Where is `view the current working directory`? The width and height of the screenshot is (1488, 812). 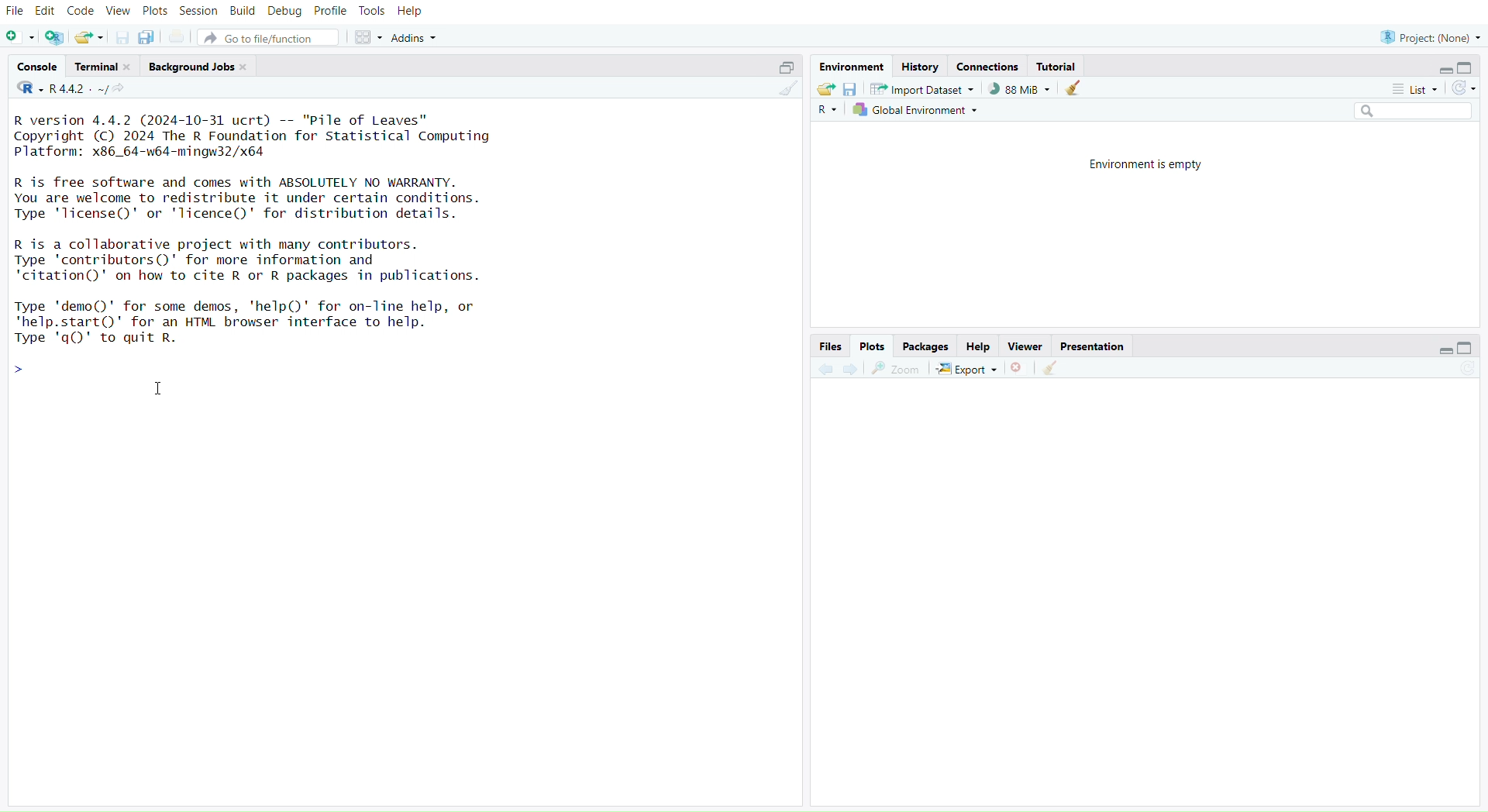 view the current working directory is located at coordinates (120, 89).